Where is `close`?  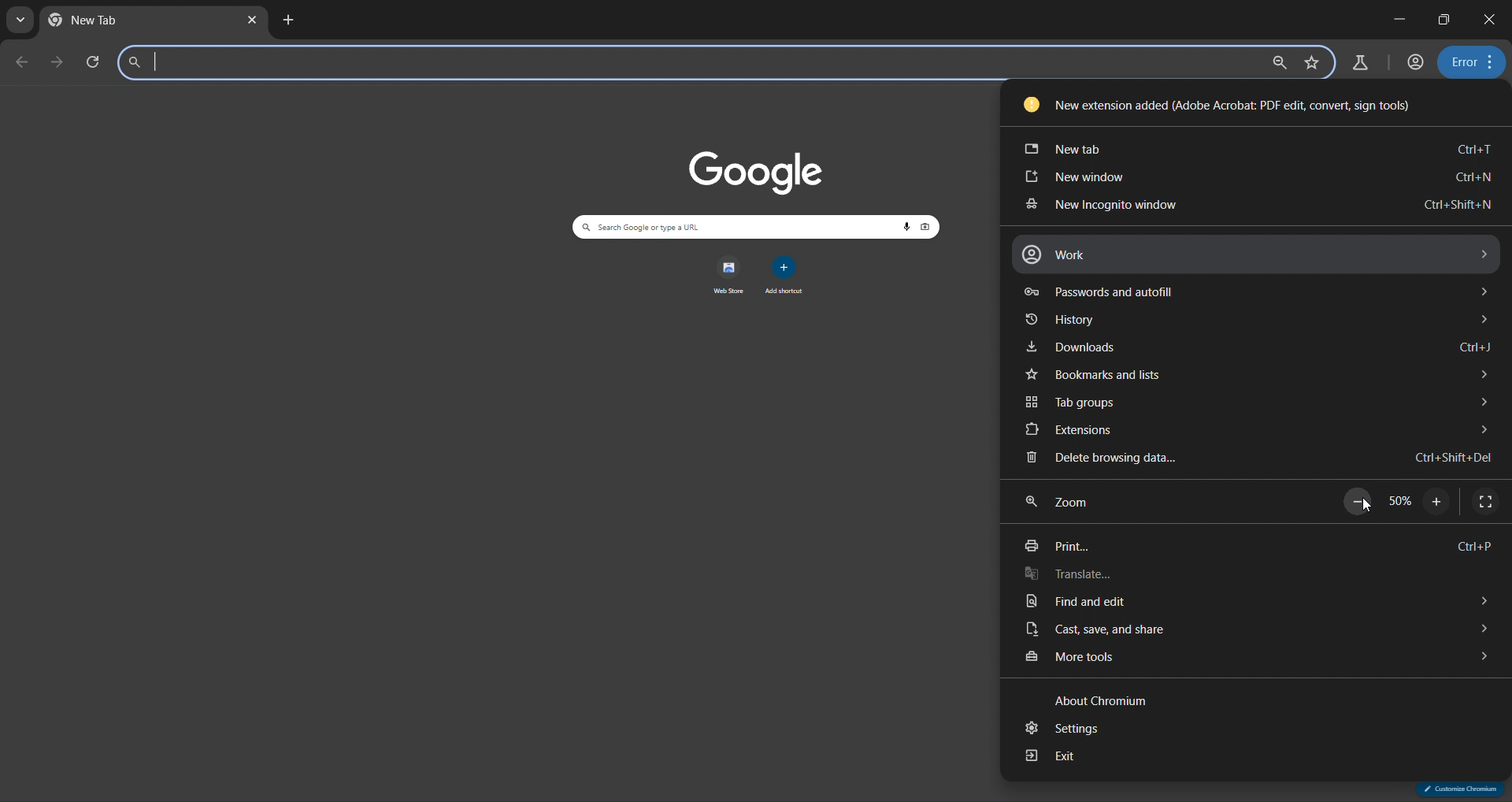
close is located at coordinates (1492, 21).